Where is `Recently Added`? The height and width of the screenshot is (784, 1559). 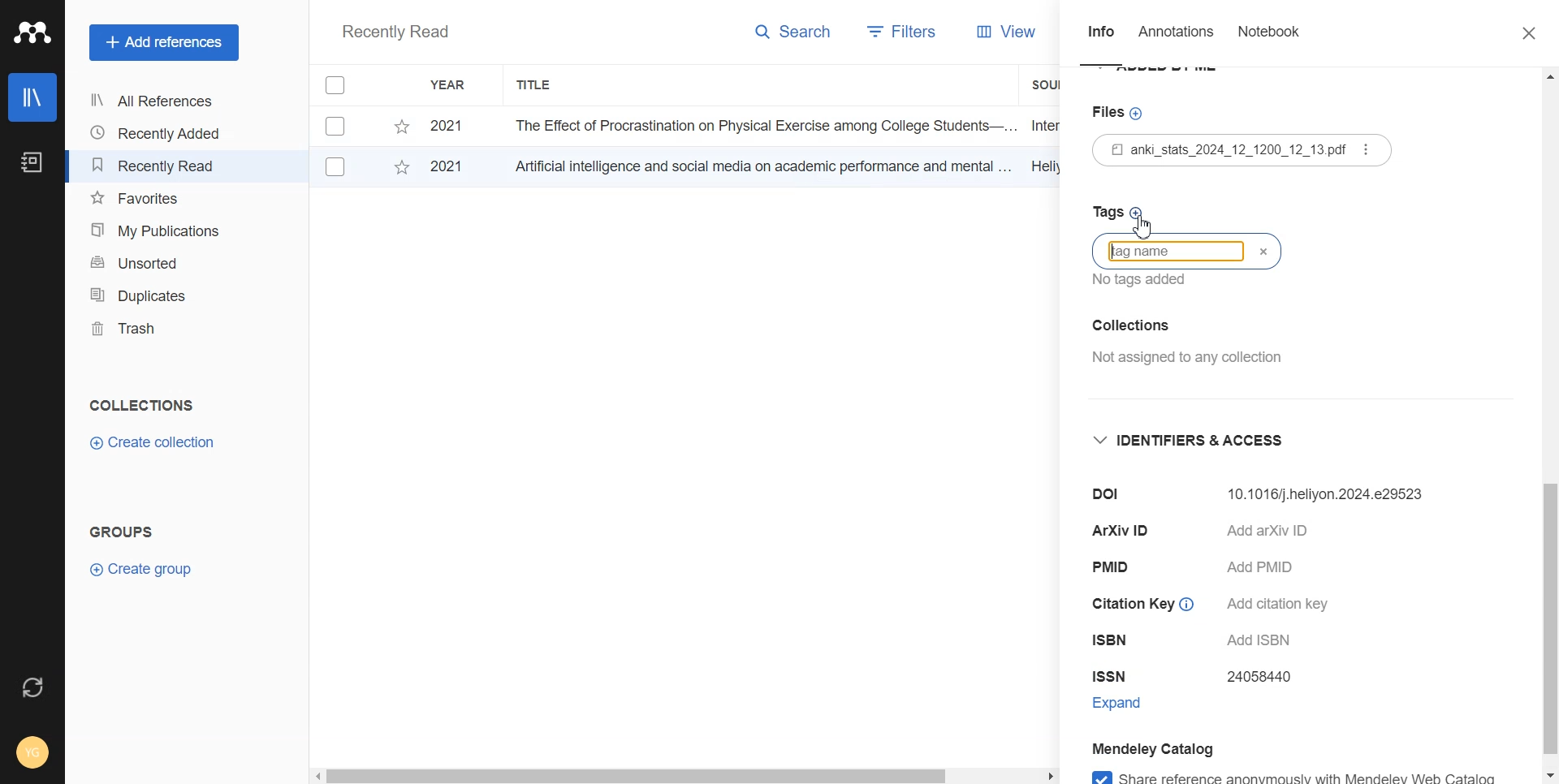 Recently Added is located at coordinates (158, 133).